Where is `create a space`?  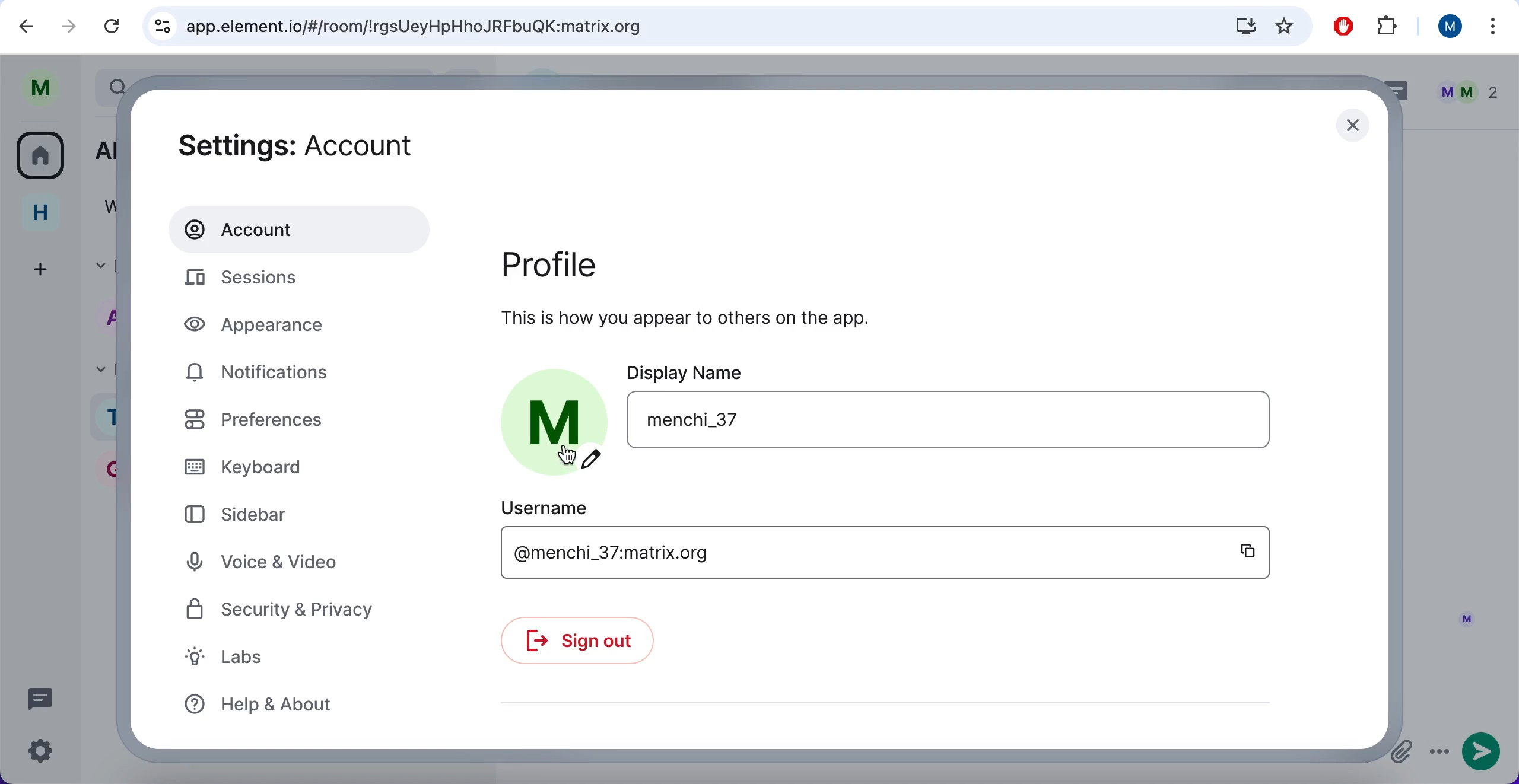 create a space is located at coordinates (38, 267).